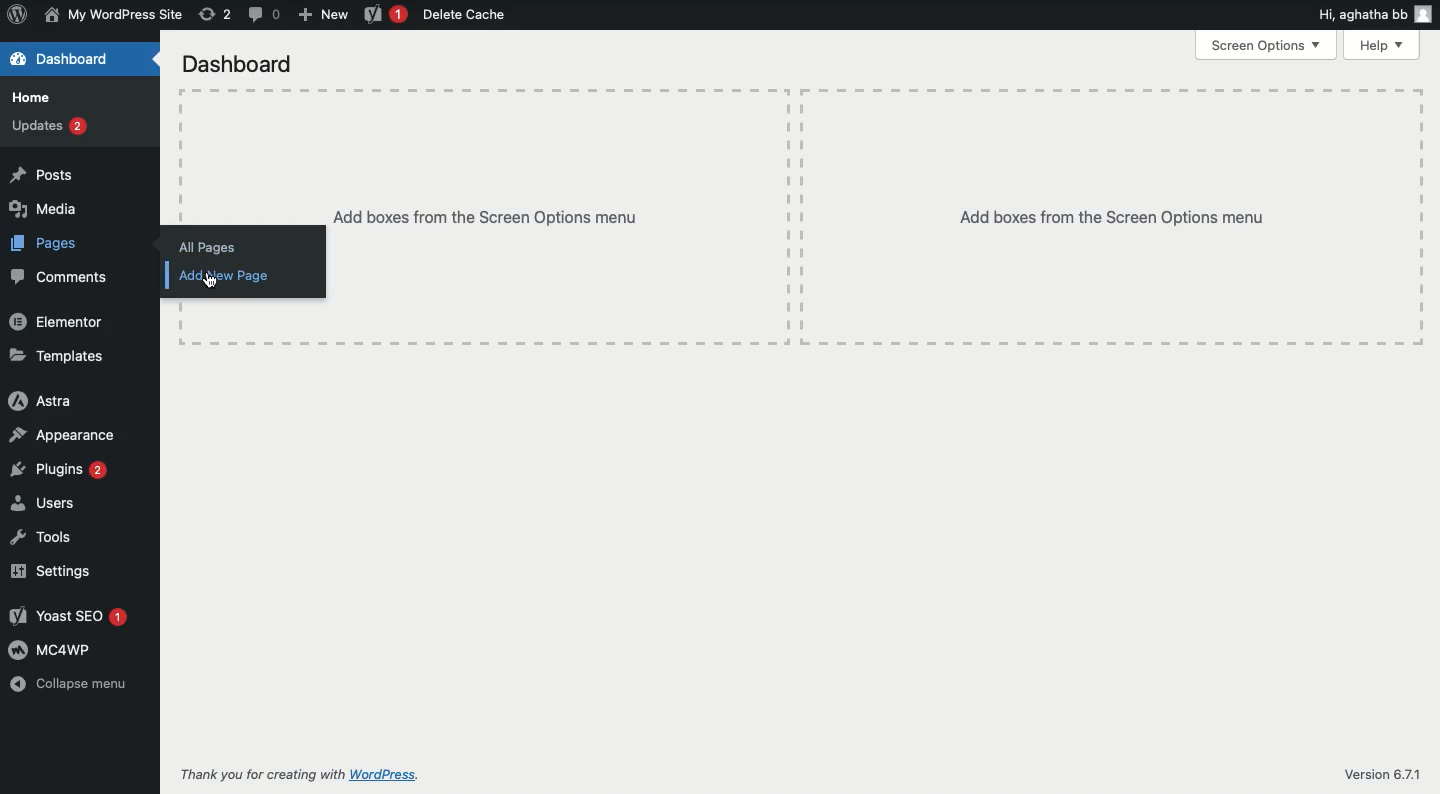  What do you see at coordinates (1374, 13) in the screenshot?
I see `Hi, aghatha bb` at bounding box center [1374, 13].